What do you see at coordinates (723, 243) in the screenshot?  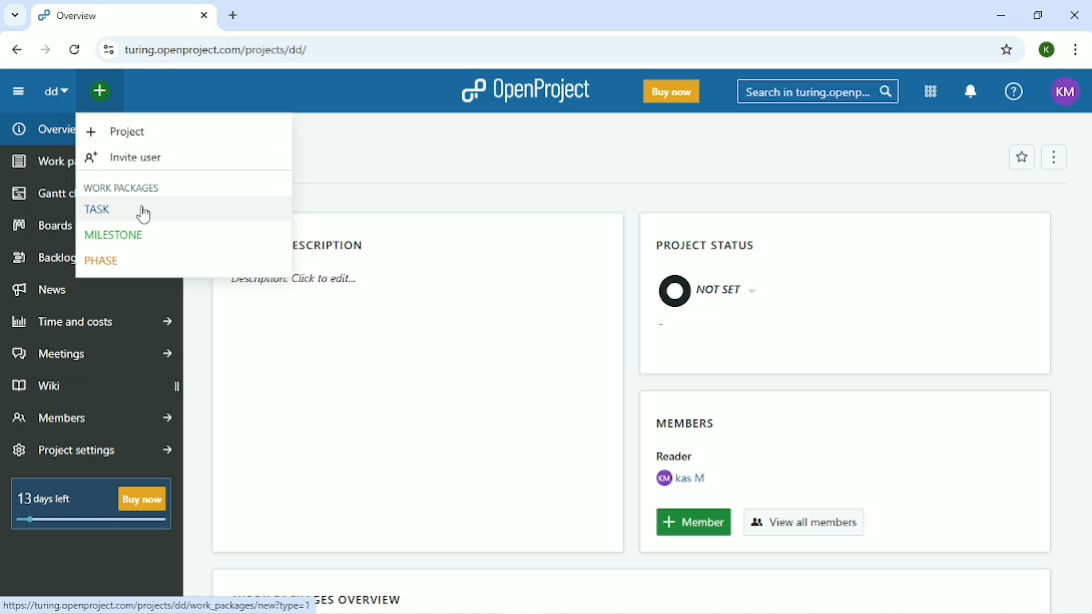 I see `Project status` at bounding box center [723, 243].